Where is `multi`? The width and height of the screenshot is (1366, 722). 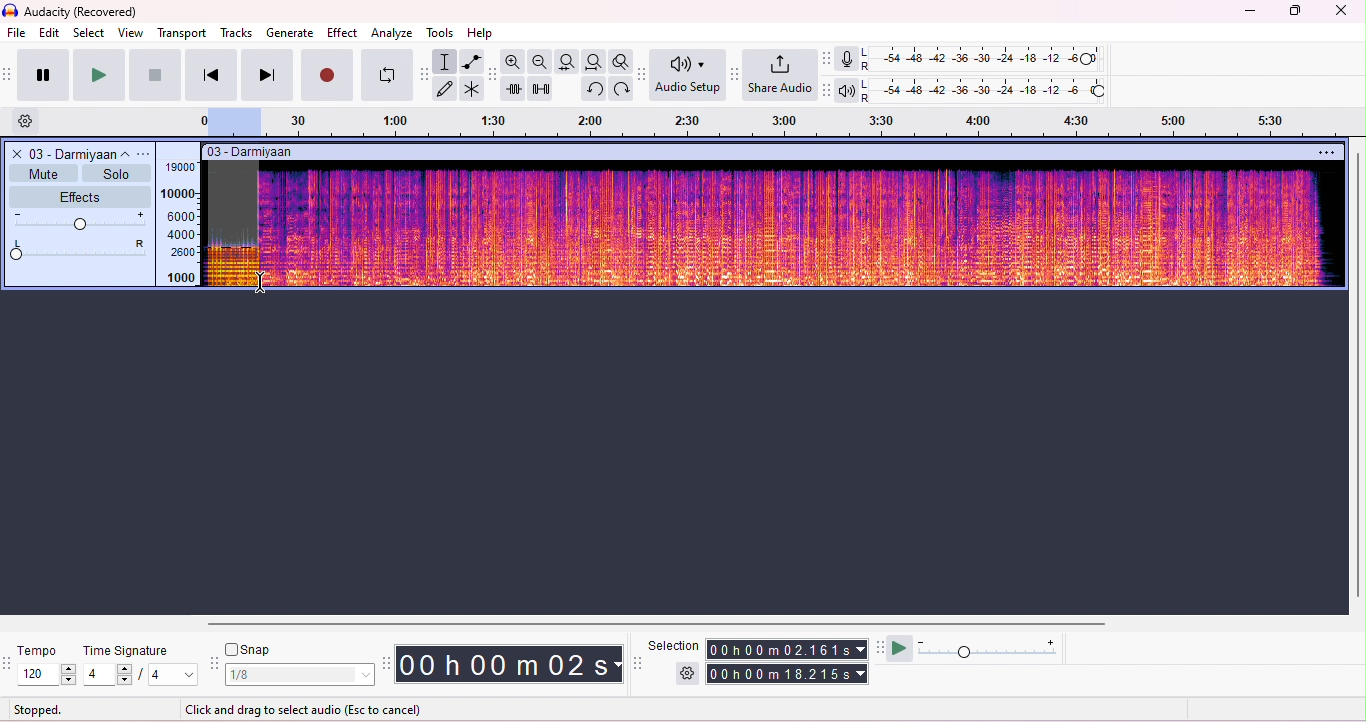 multi is located at coordinates (473, 89).